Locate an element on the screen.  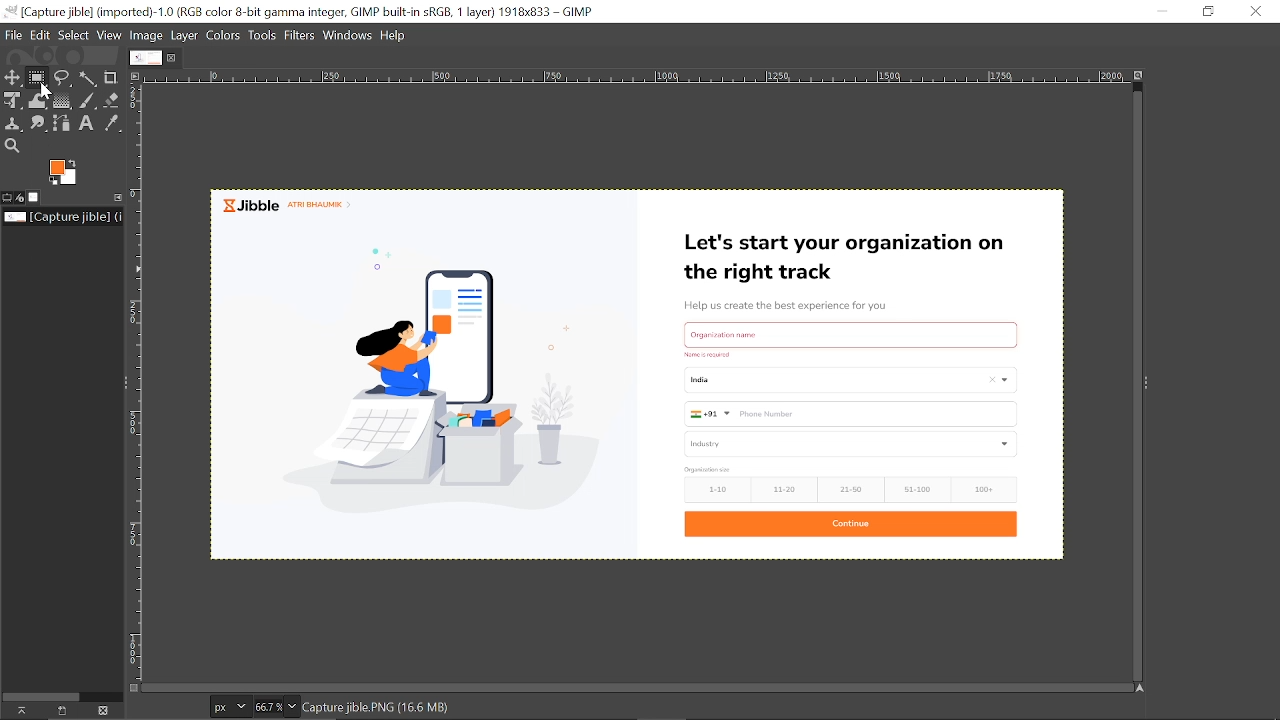
Current Image is located at coordinates (144, 57).